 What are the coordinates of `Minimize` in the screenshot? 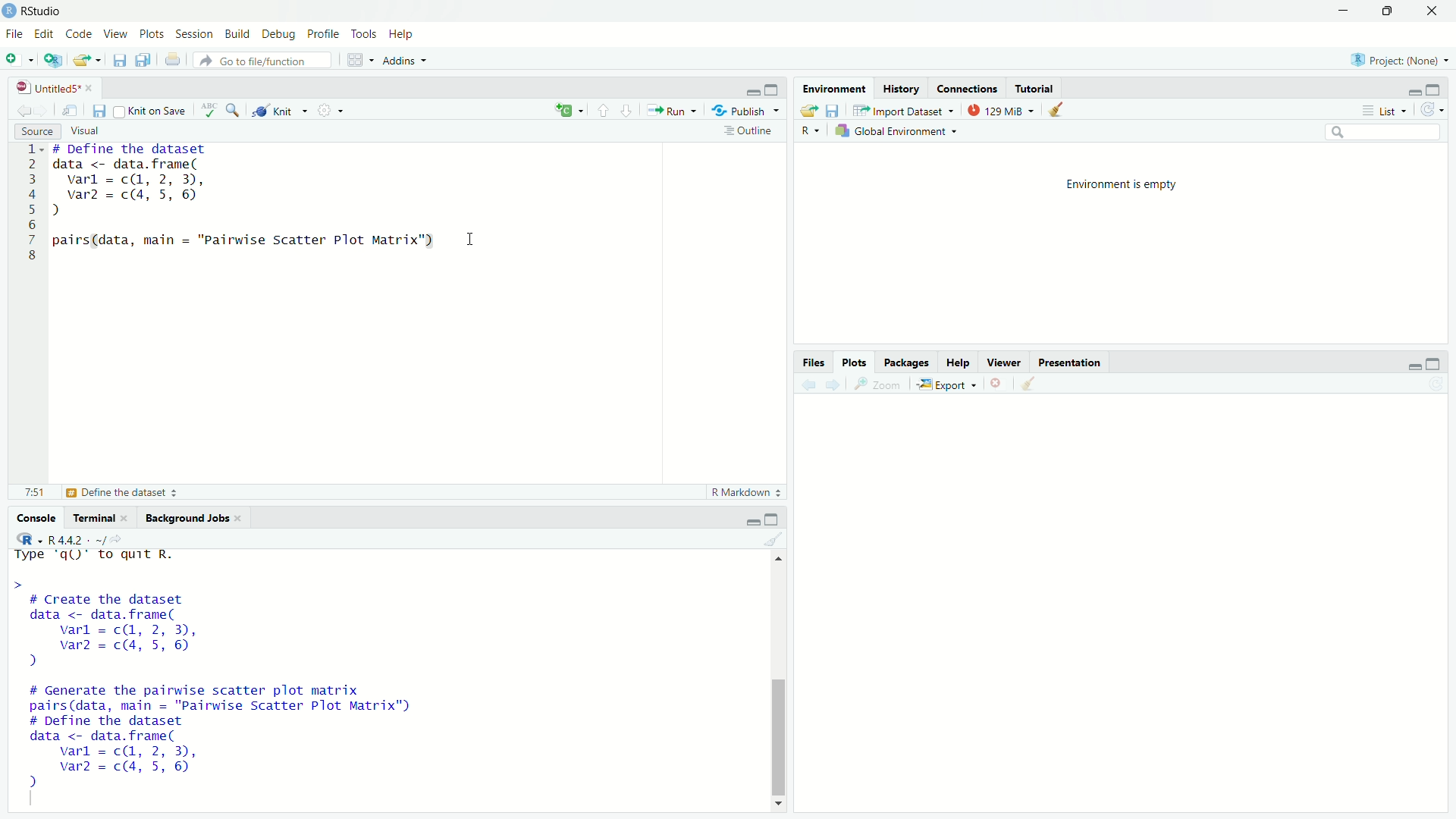 It's located at (1414, 366).